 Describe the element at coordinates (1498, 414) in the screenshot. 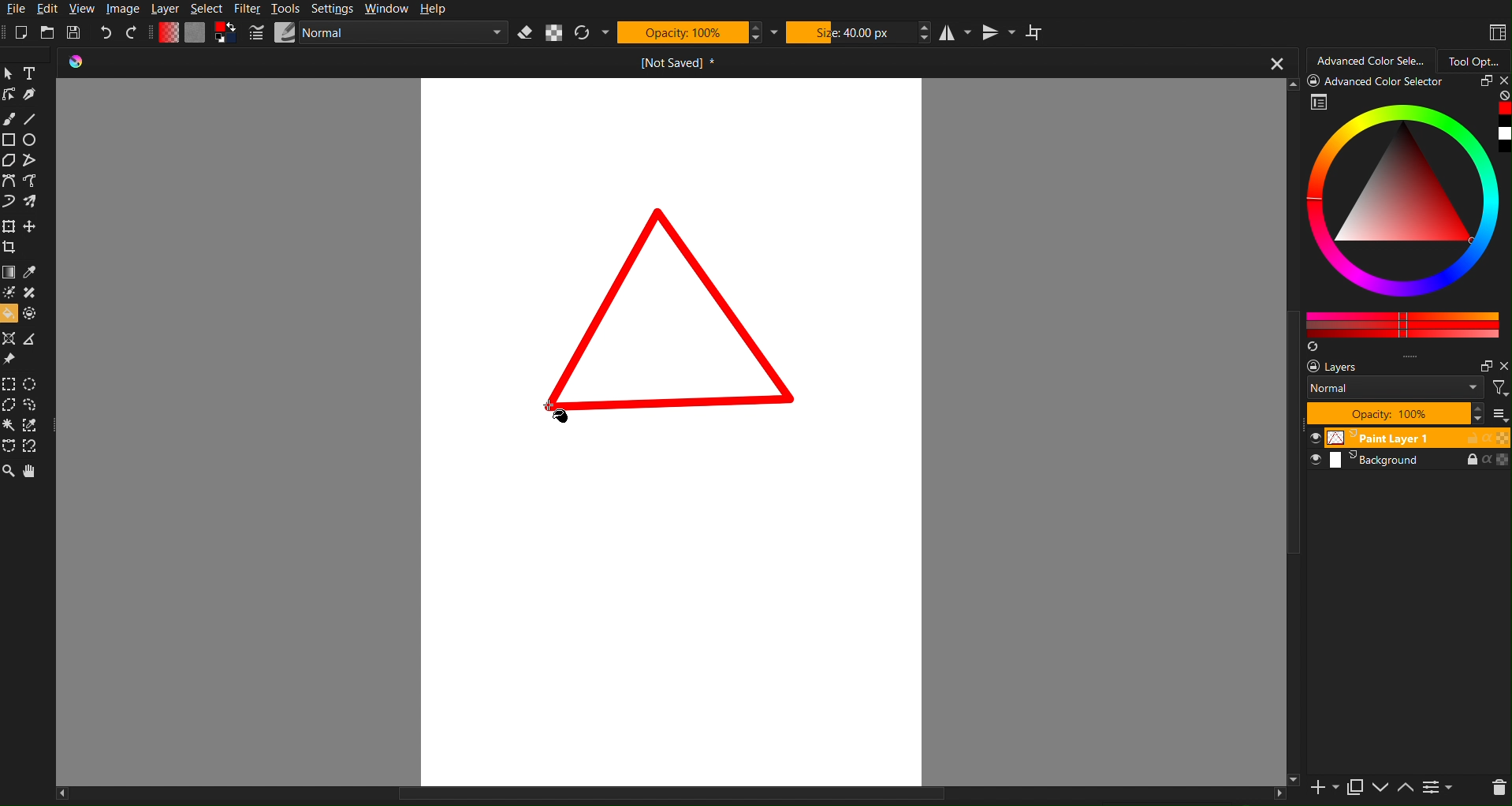

I see `more` at that location.